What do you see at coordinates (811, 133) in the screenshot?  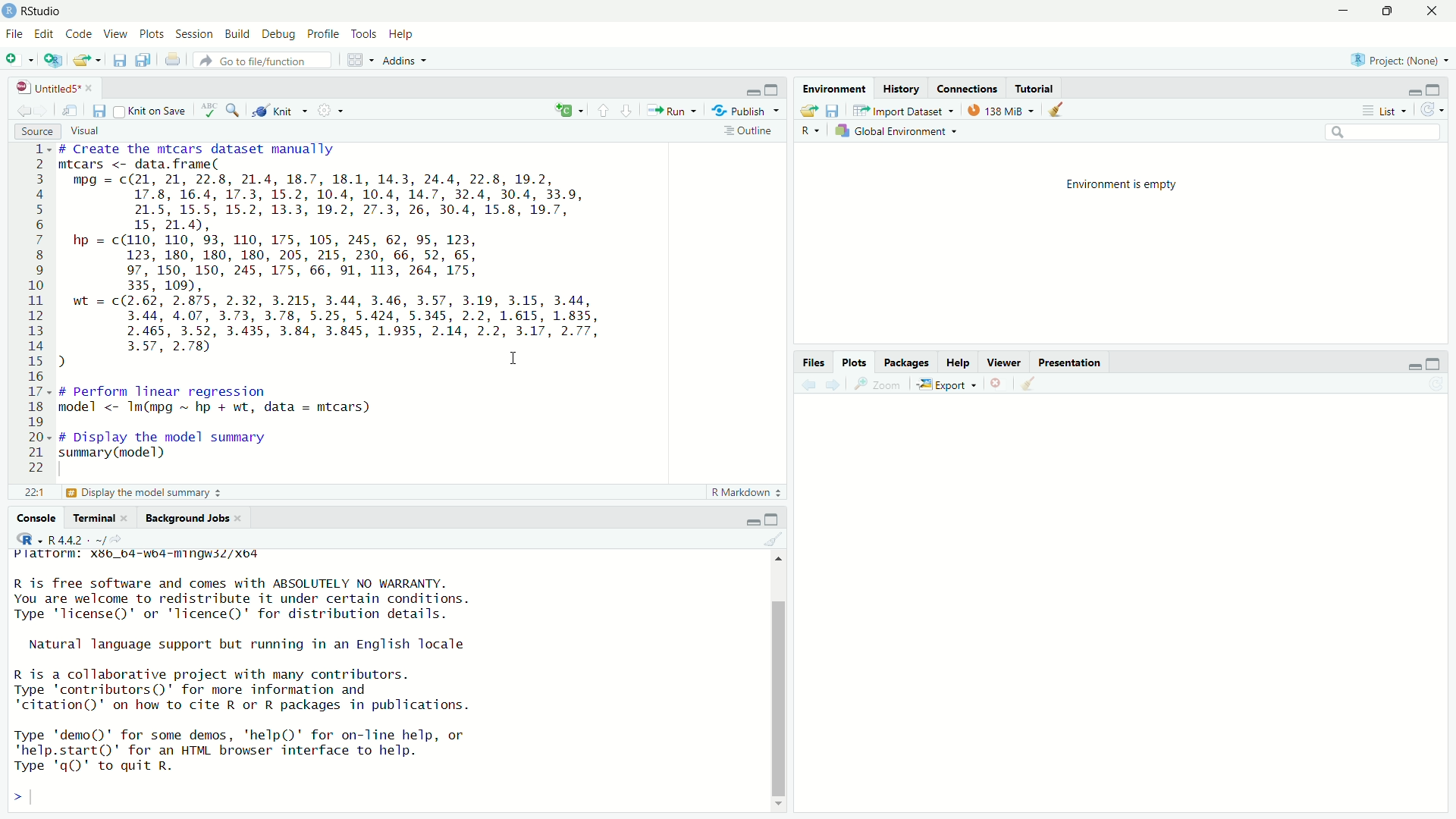 I see `R` at bounding box center [811, 133].